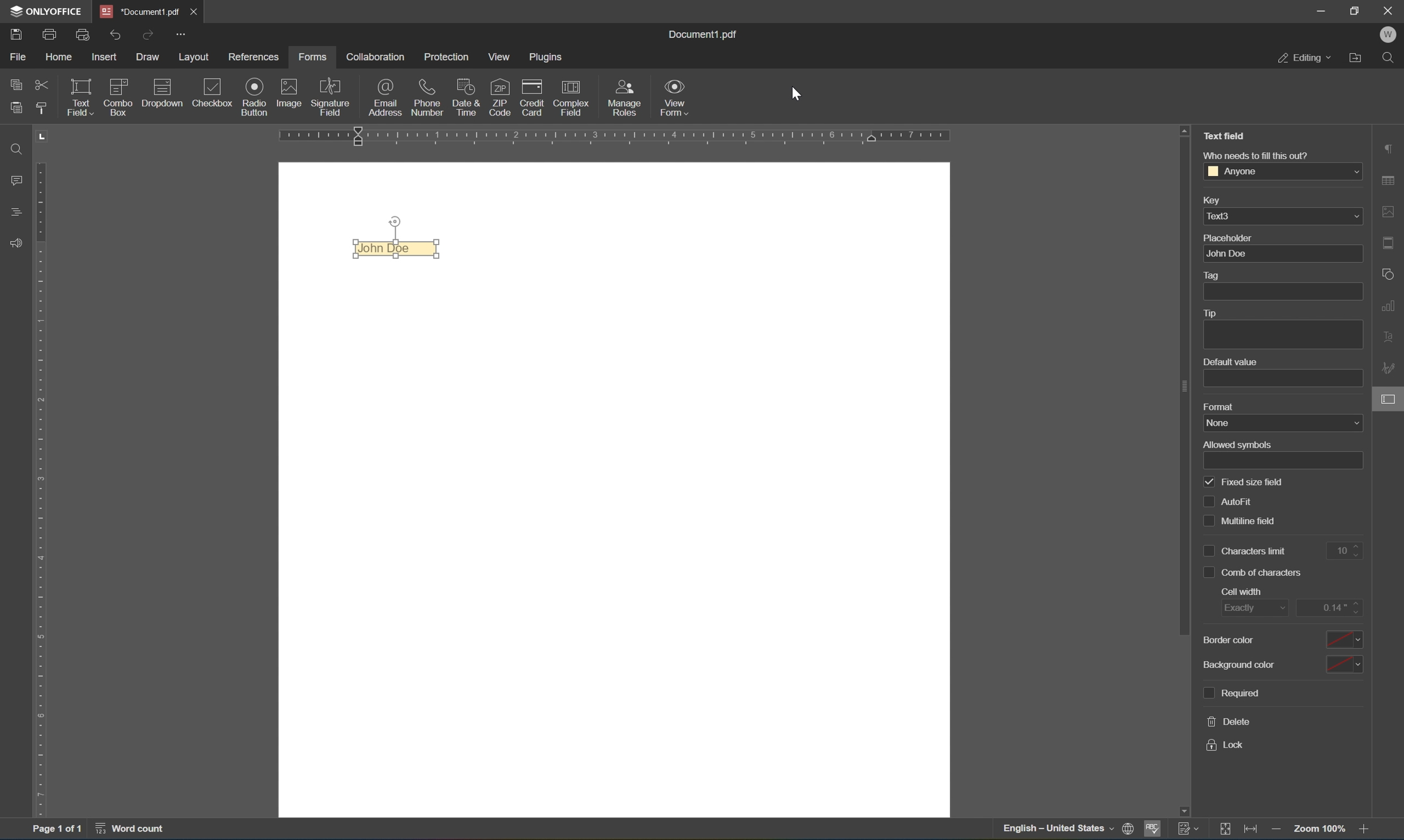  Describe the element at coordinates (1281, 640) in the screenshot. I see `border color` at that location.